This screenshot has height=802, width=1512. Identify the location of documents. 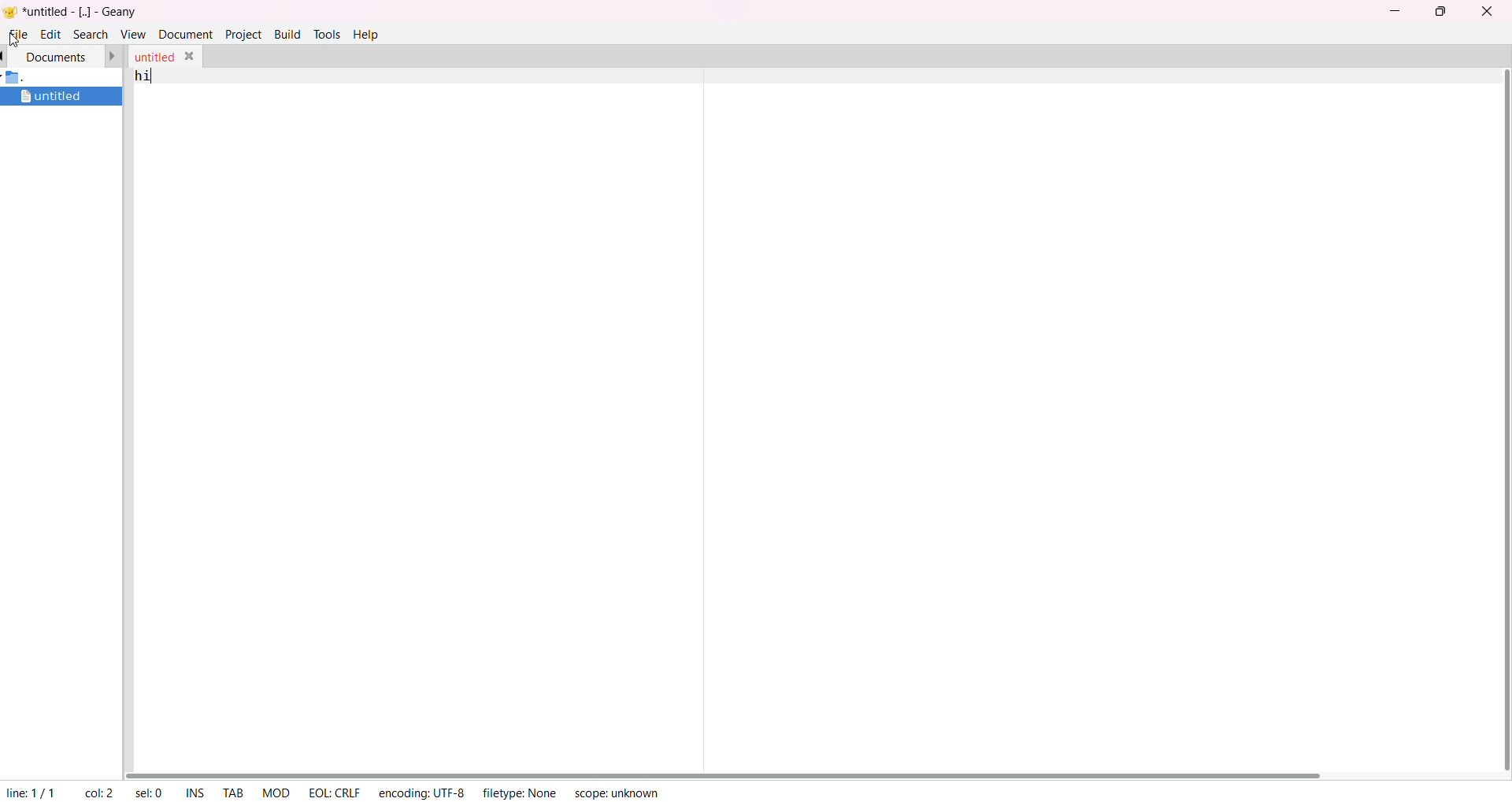
(57, 56).